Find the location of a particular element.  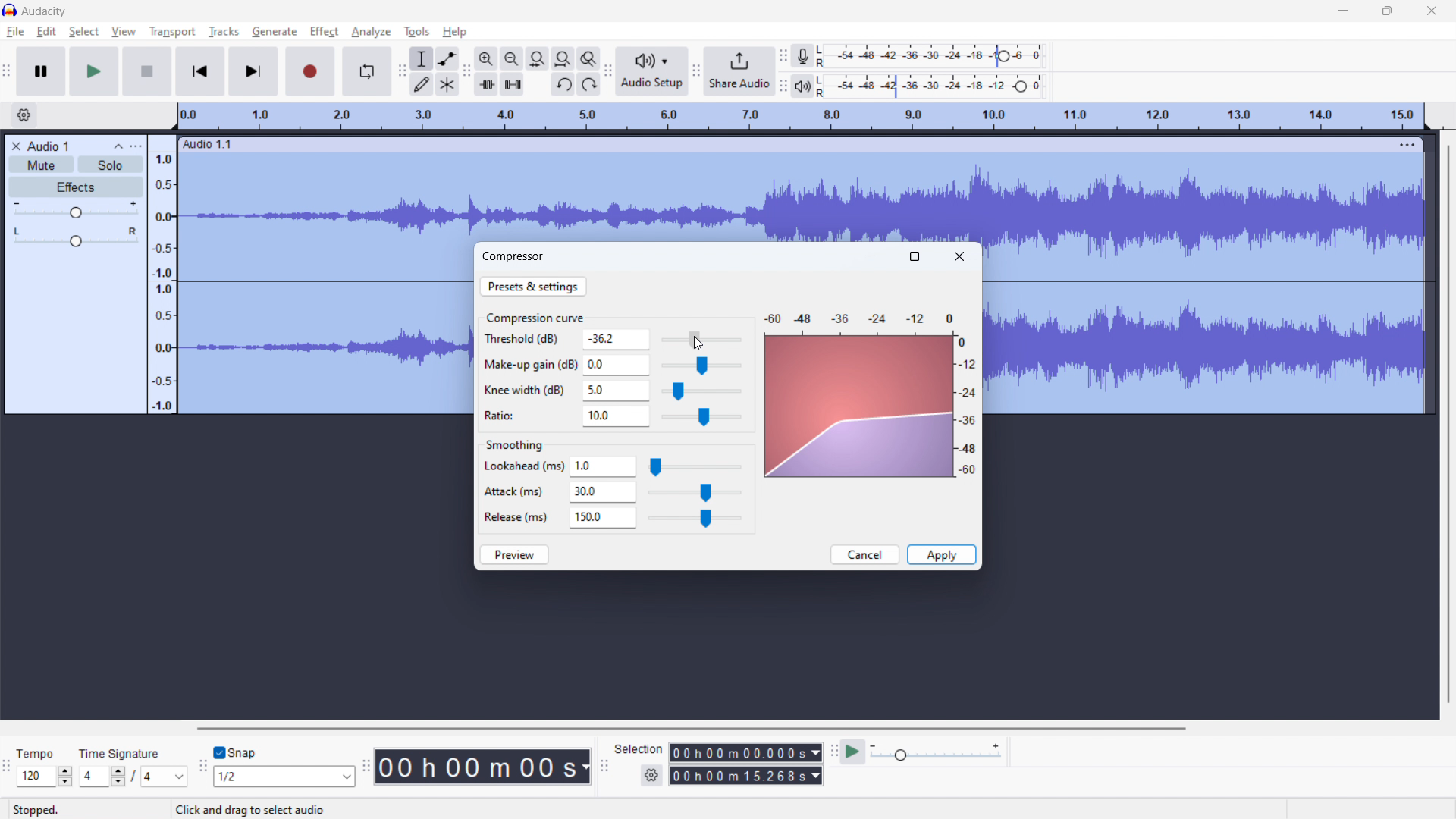

00h00m15.268s (end time) is located at coordinates (746, 776).